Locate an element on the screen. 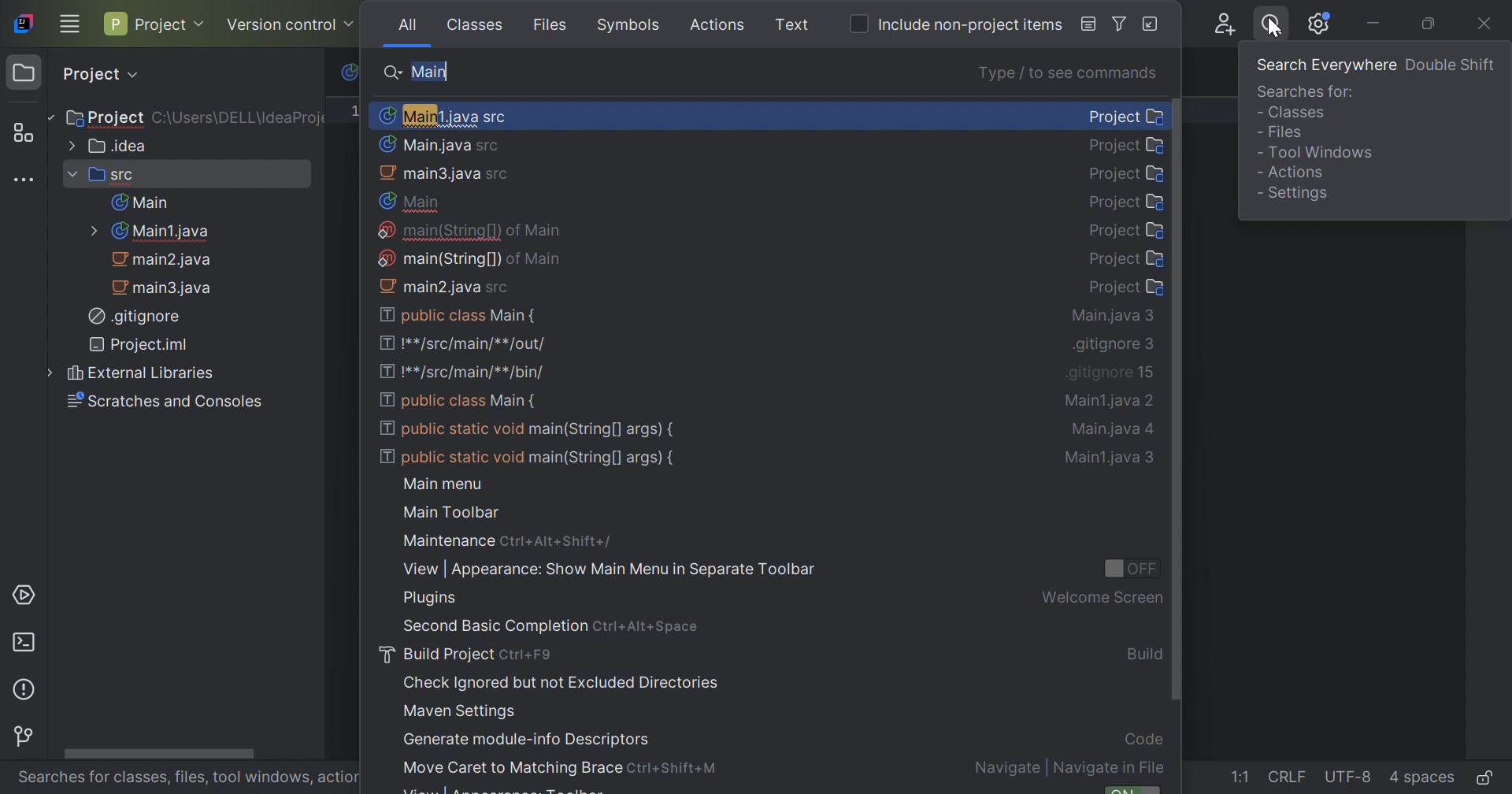 This screenshot has width=1512, height=794. Services is located at coordinates (24, 597).